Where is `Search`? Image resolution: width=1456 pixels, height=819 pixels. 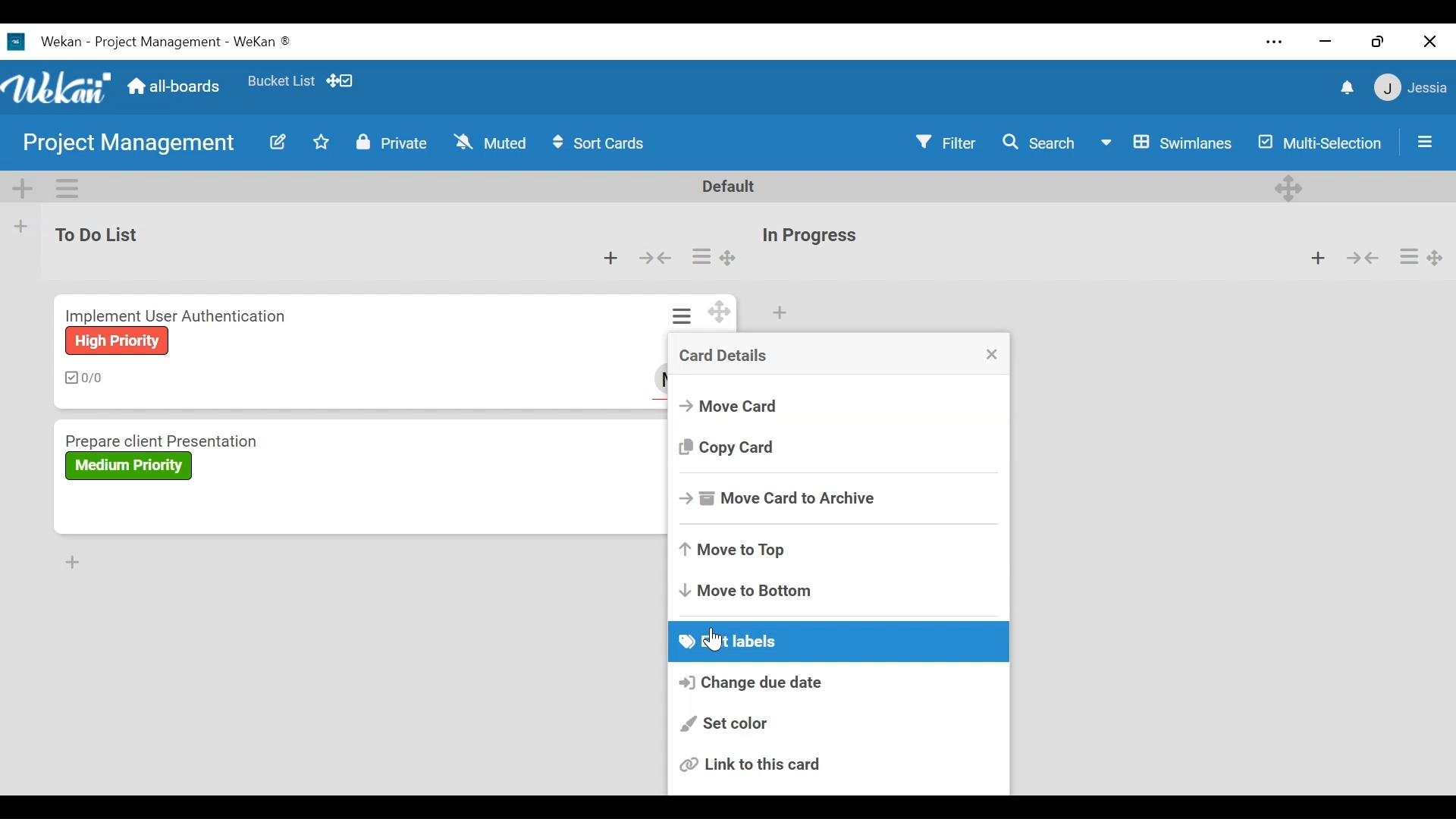
Search is located at coordinates (1034, 143).